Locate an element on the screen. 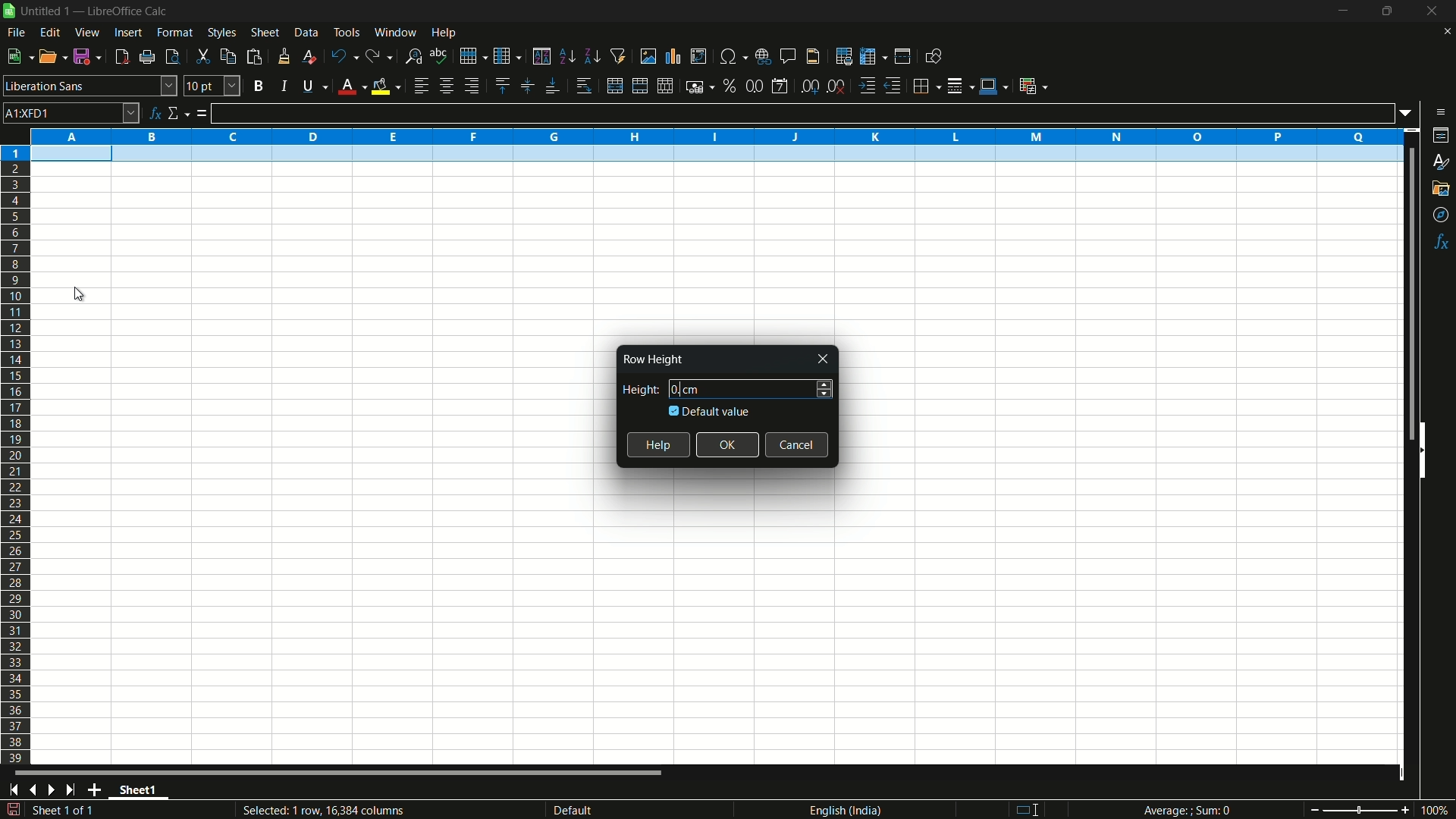 Image resolution: width=1456 pixels, height=819 pixels. cancel is located at coordinates (798, 444).